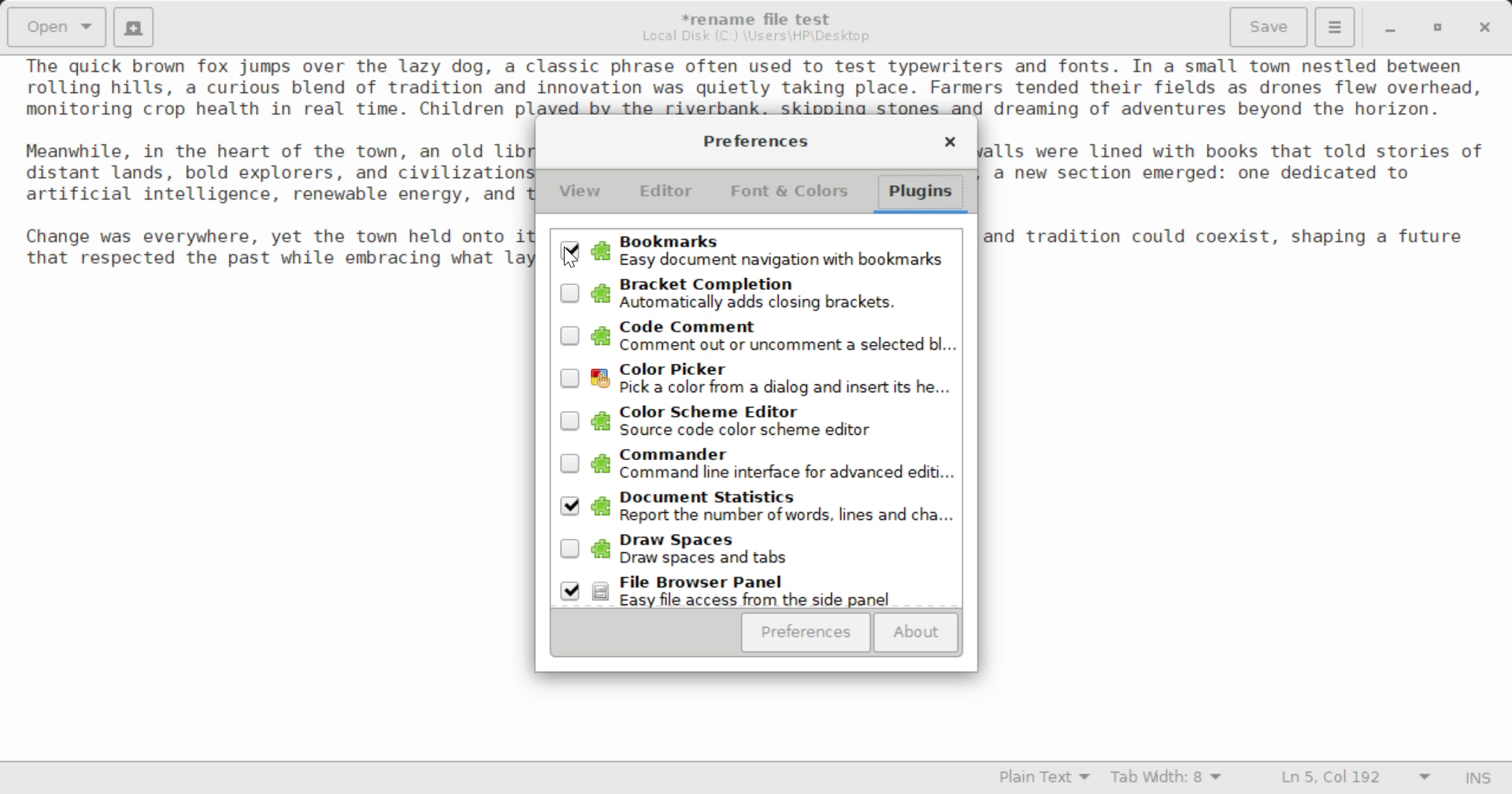 Image resolution: width=1512 pixels, height=794 pixels. What do you see at coordinates (806, 633) in the screenshot?
I see `Preferences` at bounding box center [806, 633].